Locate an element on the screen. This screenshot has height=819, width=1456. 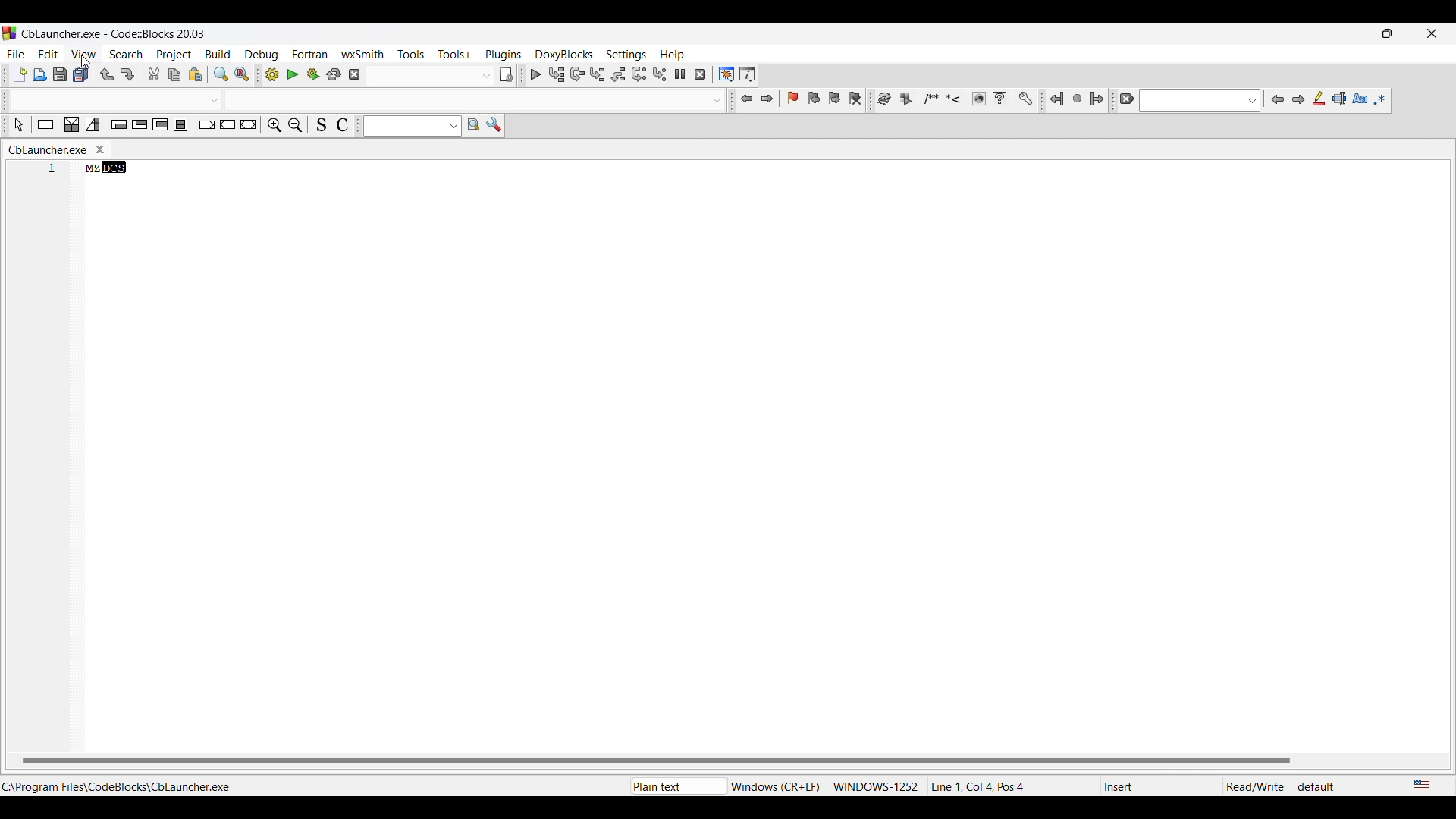
Step into instruction is located at coordinates (660, 74).